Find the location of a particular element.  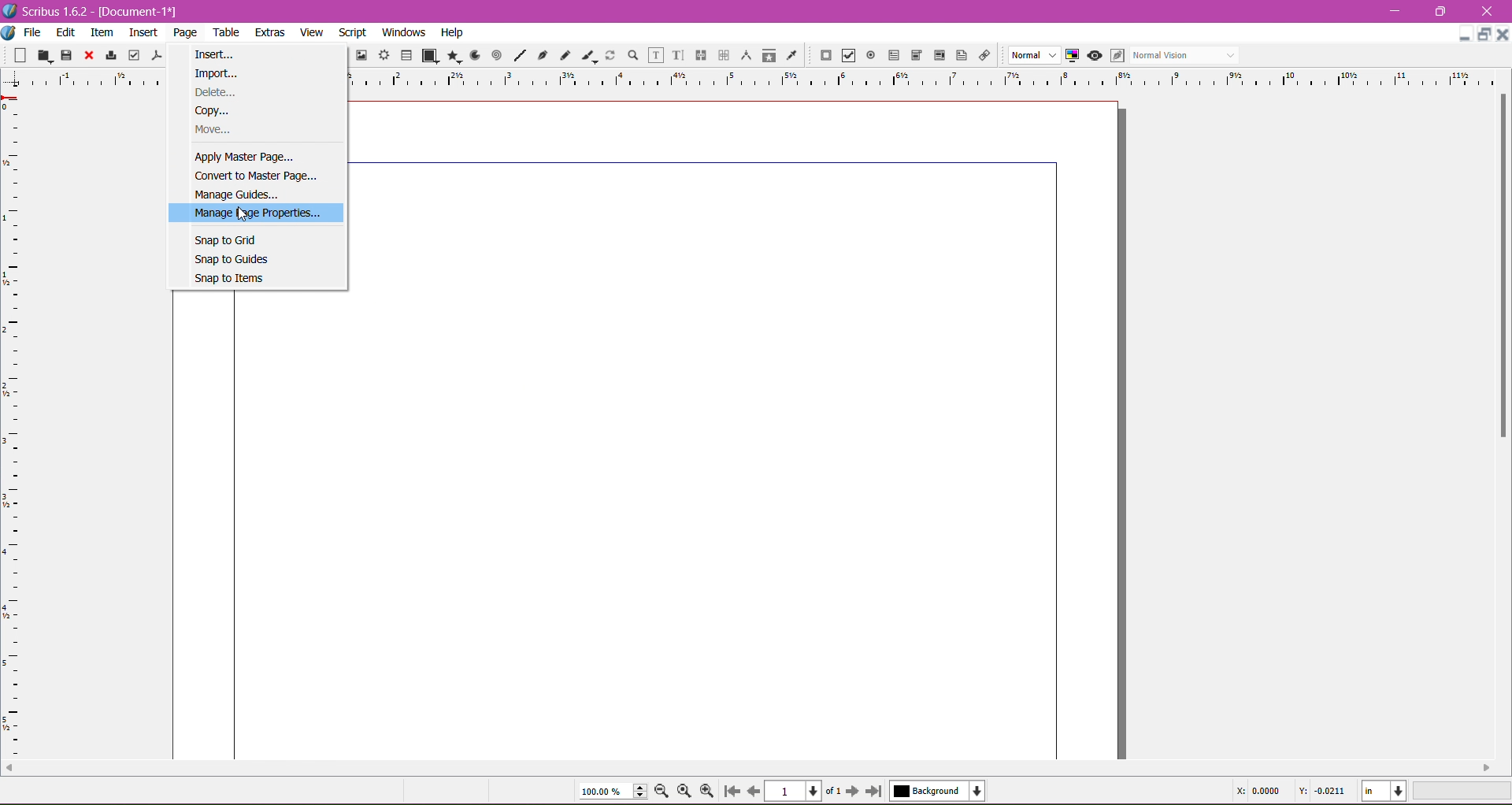

Insert is located at coordinates (217, 54).